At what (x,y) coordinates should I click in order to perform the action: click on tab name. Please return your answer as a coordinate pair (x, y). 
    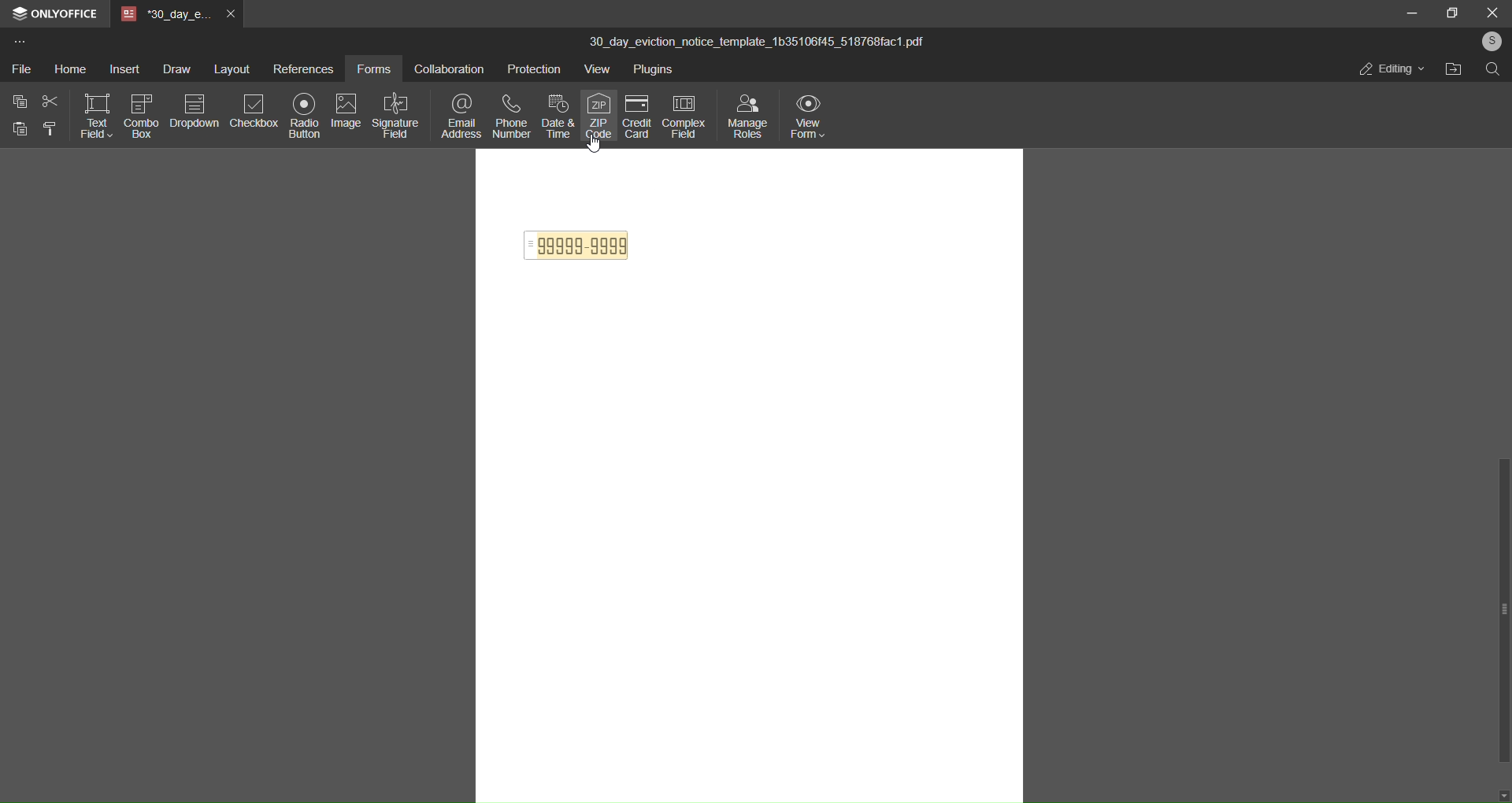
    Looking at the image, I should click on (170, 13).